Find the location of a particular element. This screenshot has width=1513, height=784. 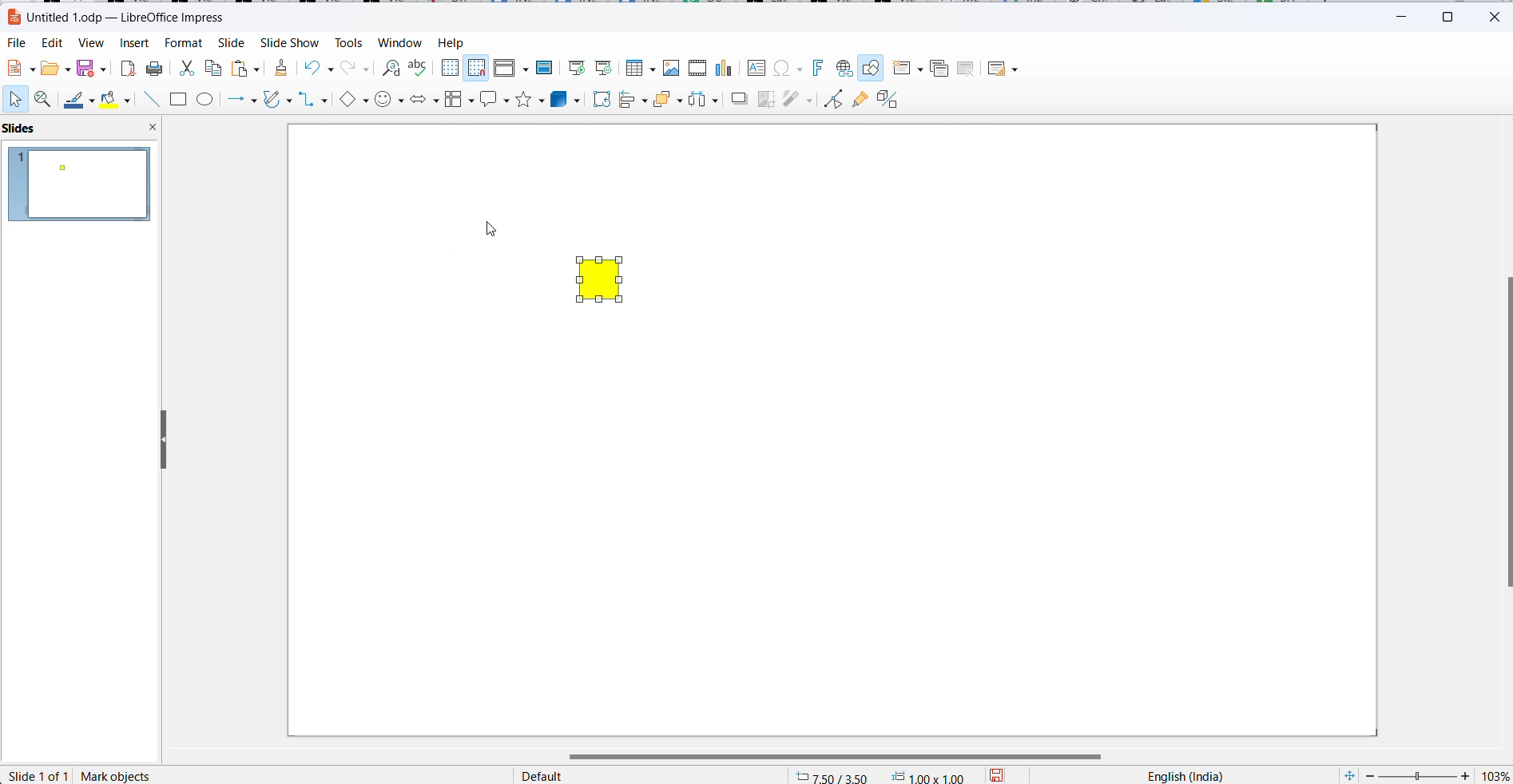

crop image is located at coordinates (766, 99).